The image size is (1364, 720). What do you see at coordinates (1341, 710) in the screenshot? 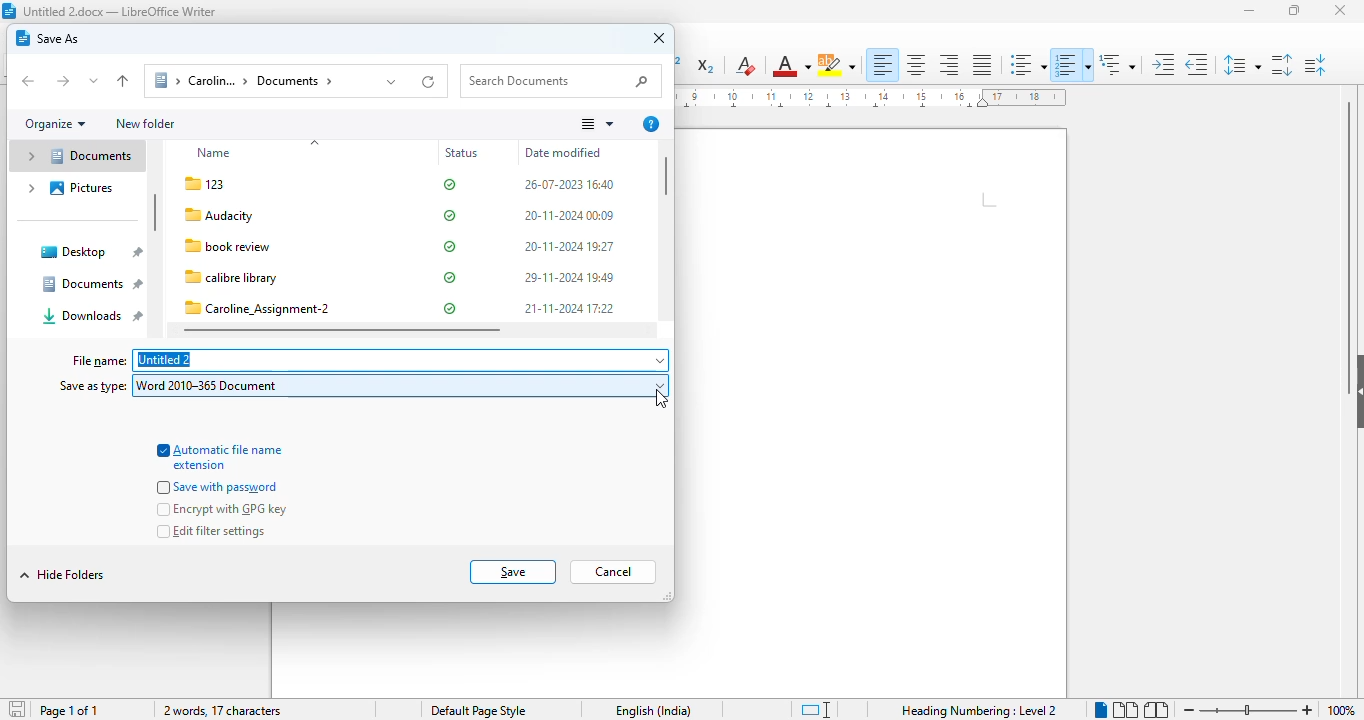
I see `zoom factor` at bounding box center [1341, 710].